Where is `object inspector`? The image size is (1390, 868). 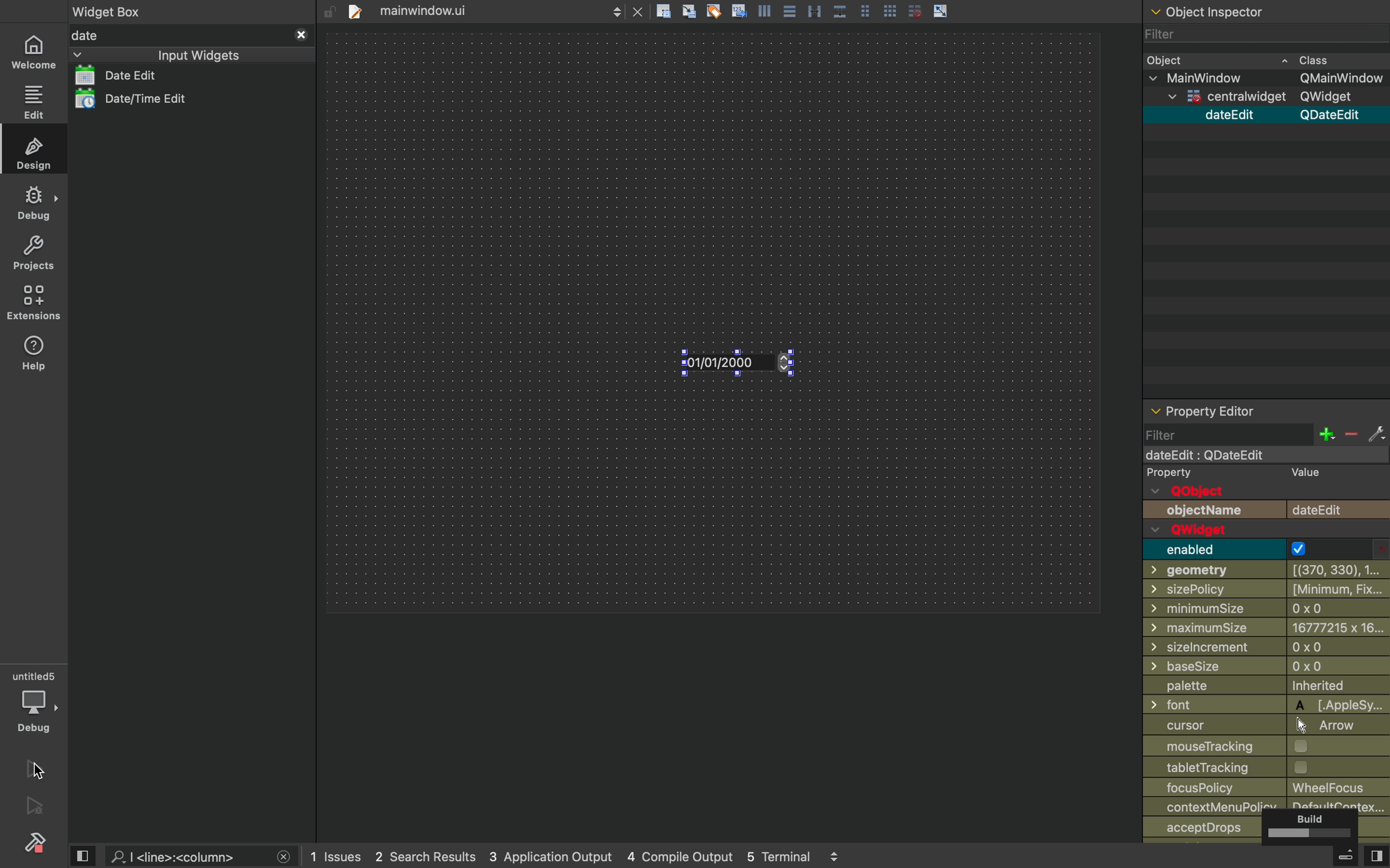
object inspector is located at coordinates (1266, 12).